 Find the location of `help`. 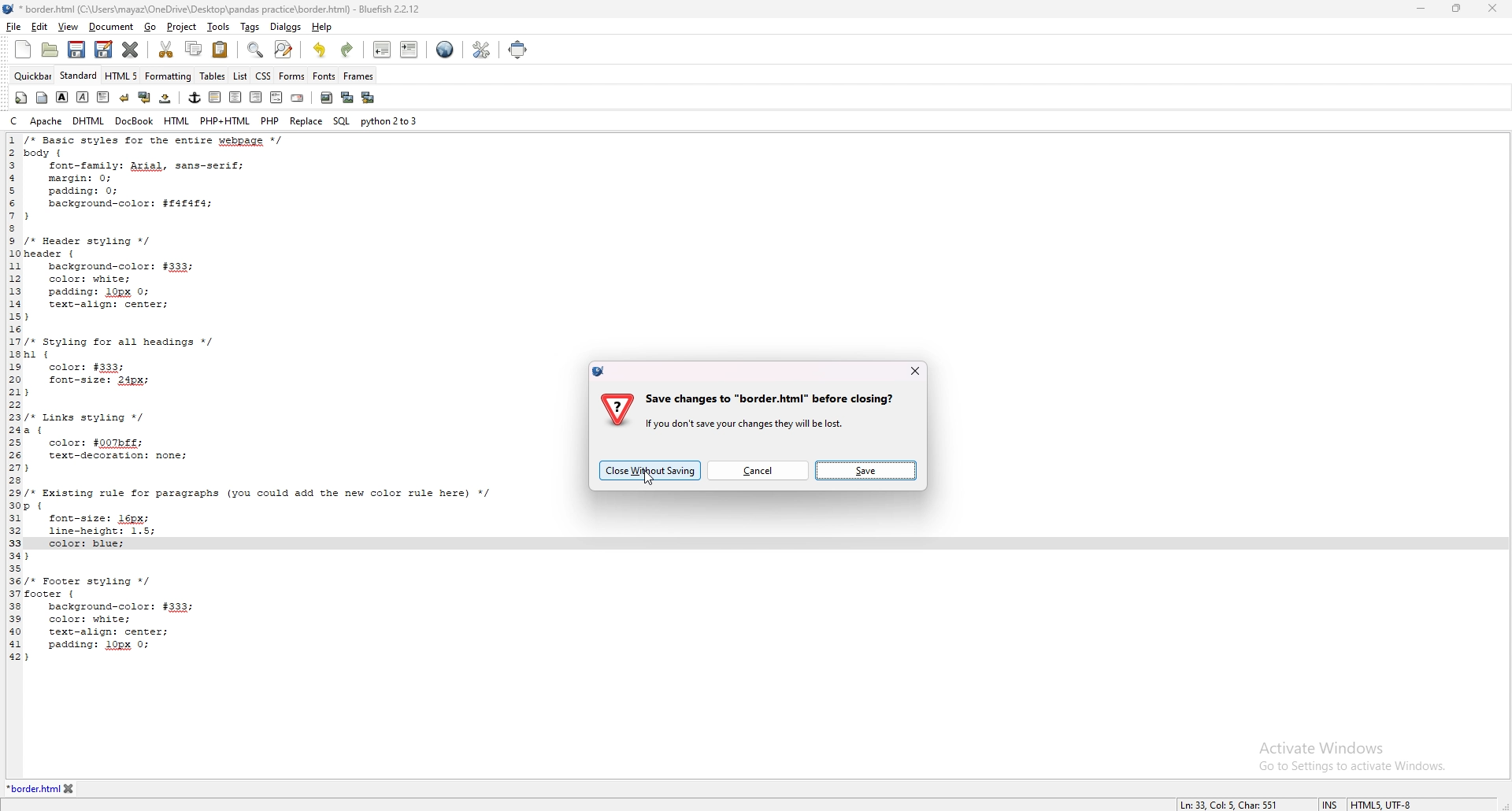

help is located at coordinates (321, 27).